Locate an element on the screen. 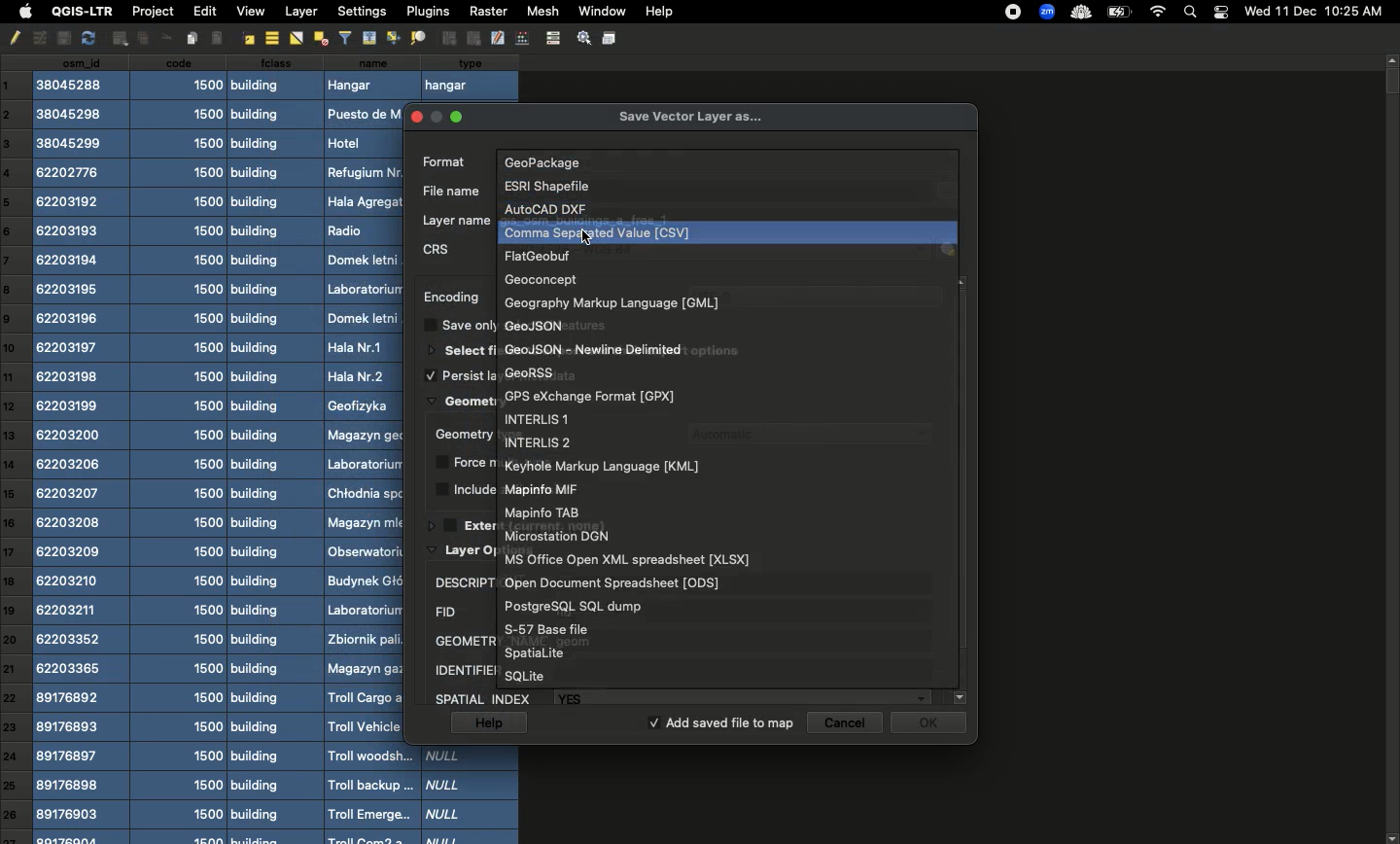 Image resolution: width=1400 pixels, height=844 pixels. recording is located at coordinates (1015, 12).